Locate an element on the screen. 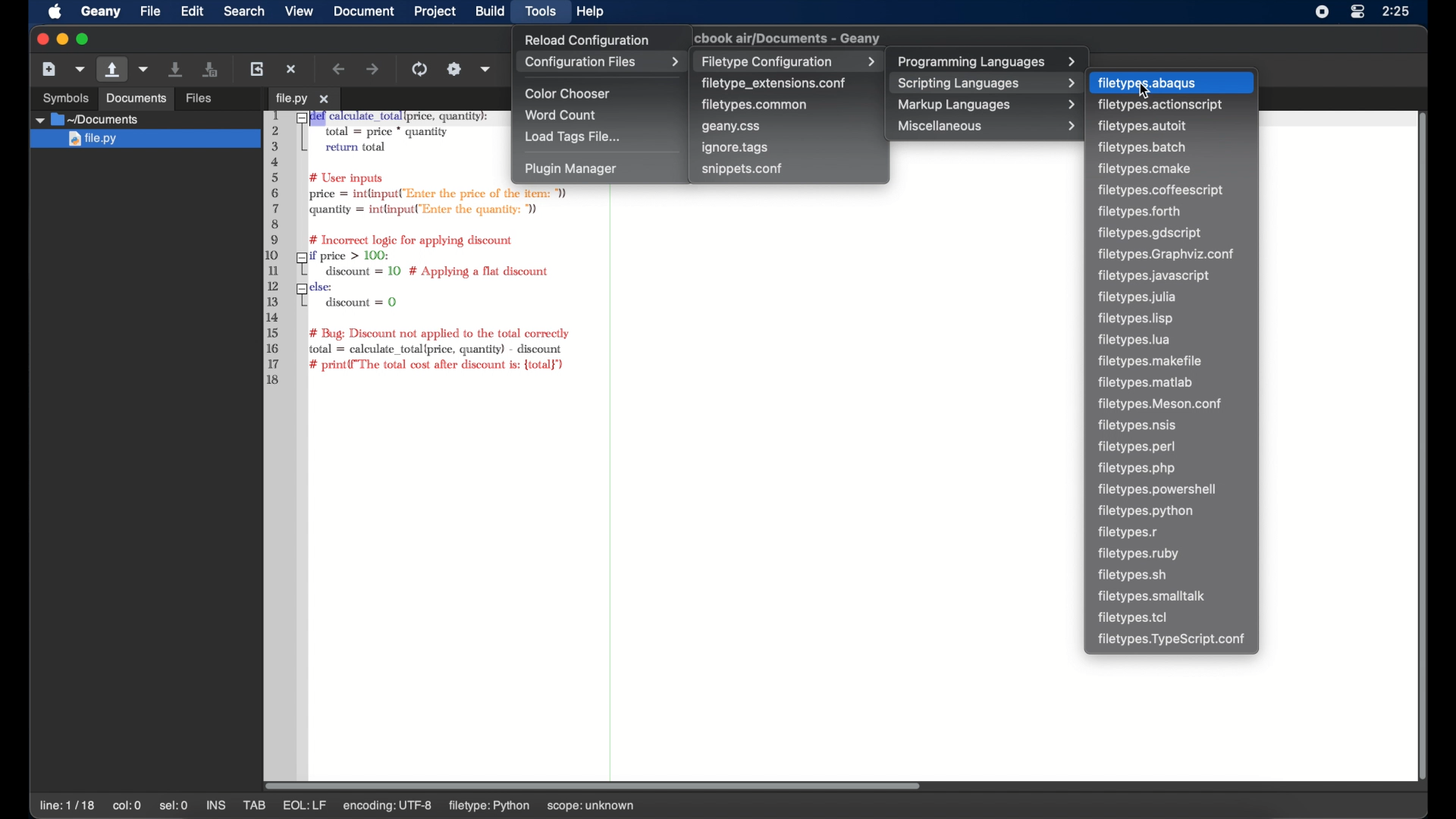 The image size is (1456, 819). apple icon is located at coordinates (55, 12).